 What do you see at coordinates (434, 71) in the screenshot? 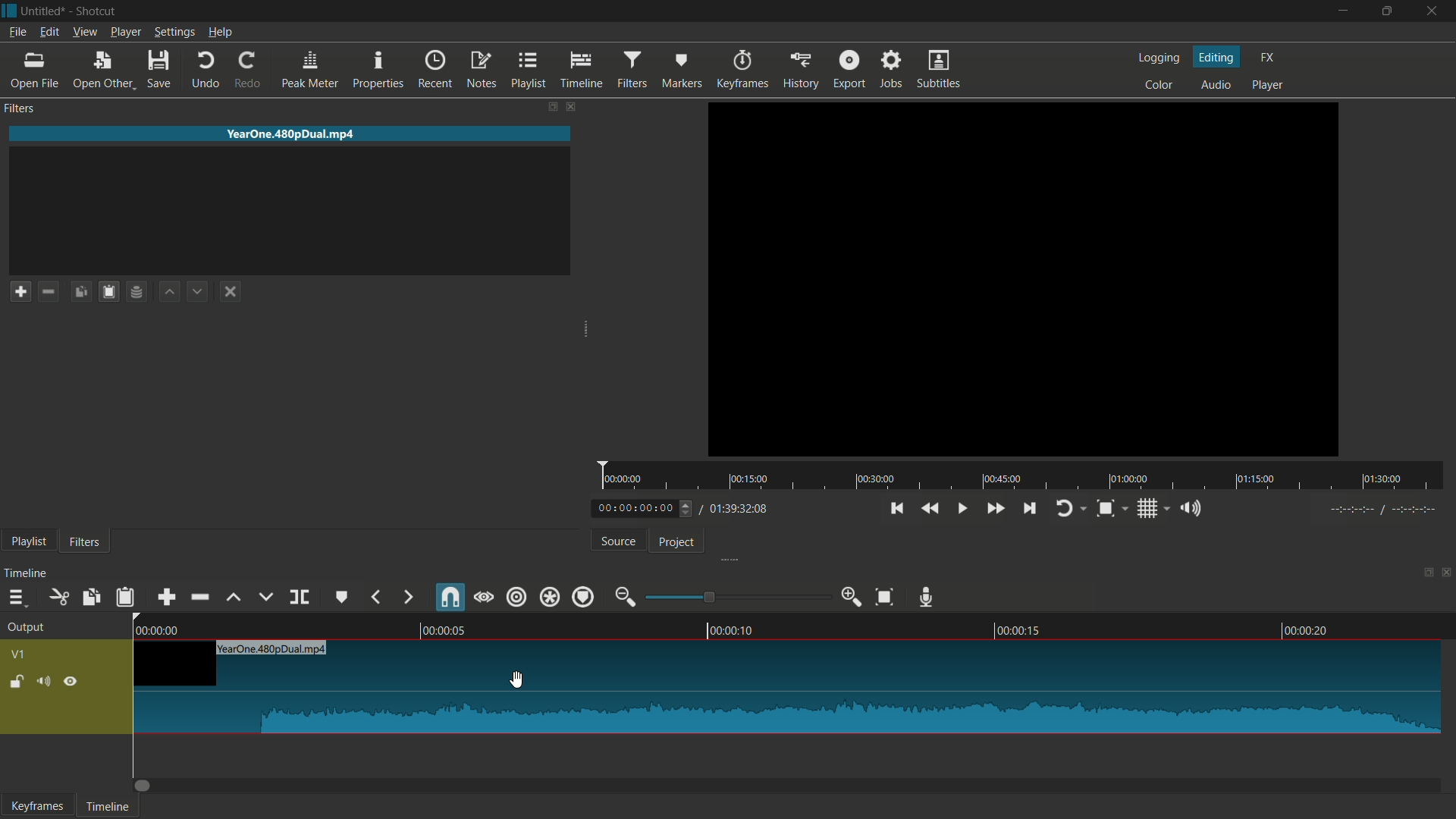
I see `recent` at bounding box center [434, 71].